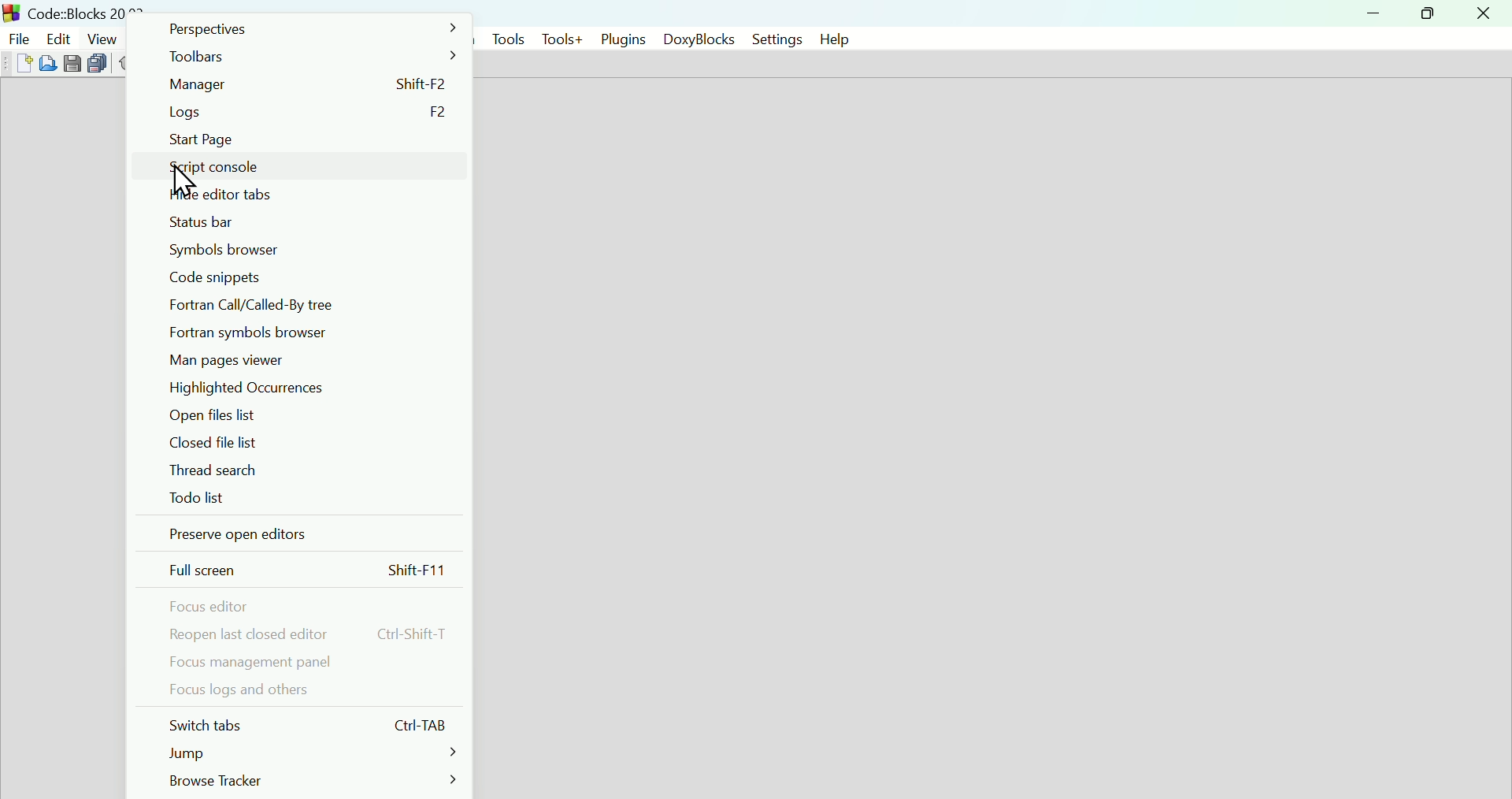 Image resolution: width=1512 pixels, height=799 pixels. I want to click on Cursor, so click(184, 183).